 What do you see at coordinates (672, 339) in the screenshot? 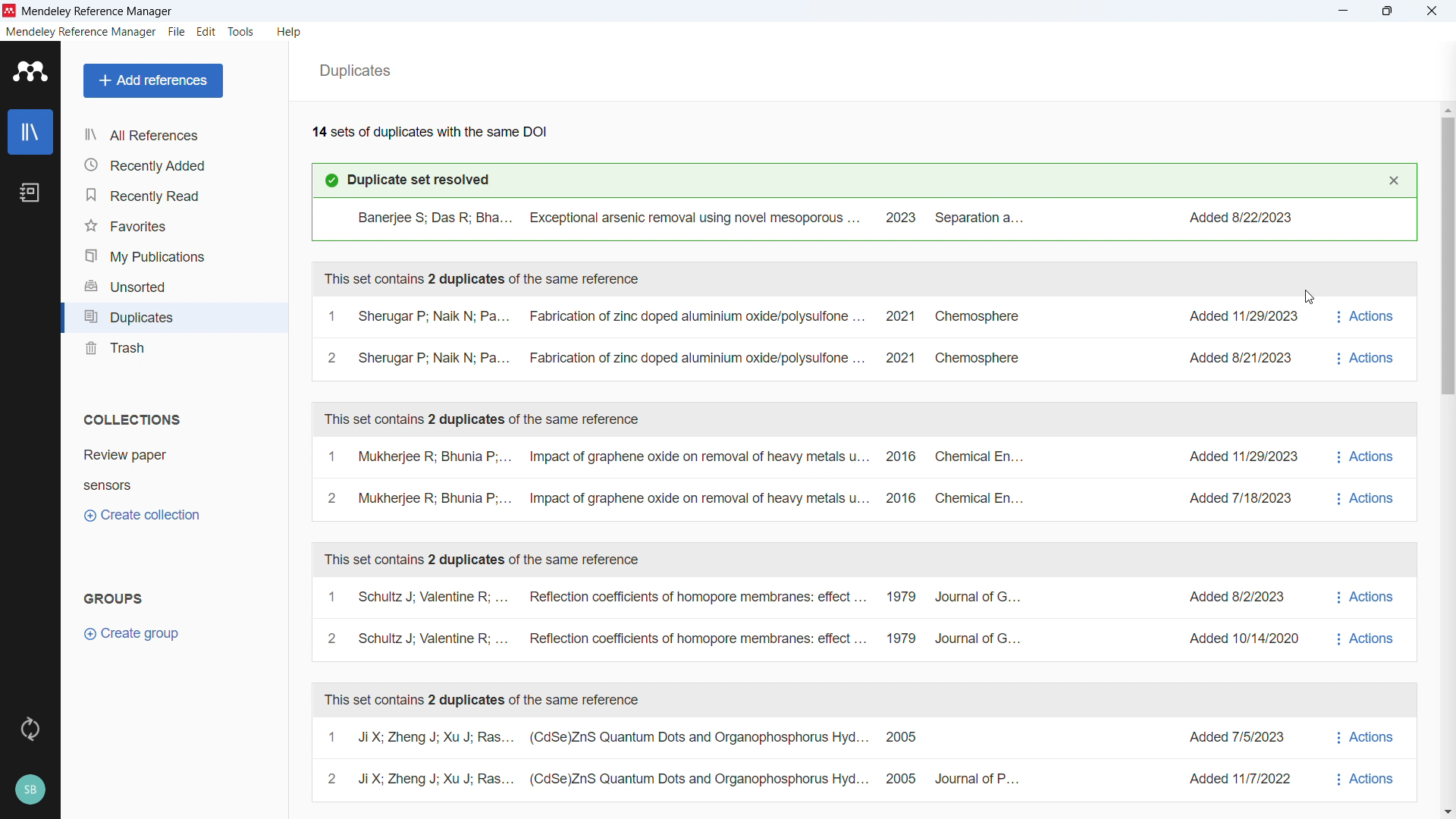
I see `Set of duplicates ` at bounding box center [672, 339].